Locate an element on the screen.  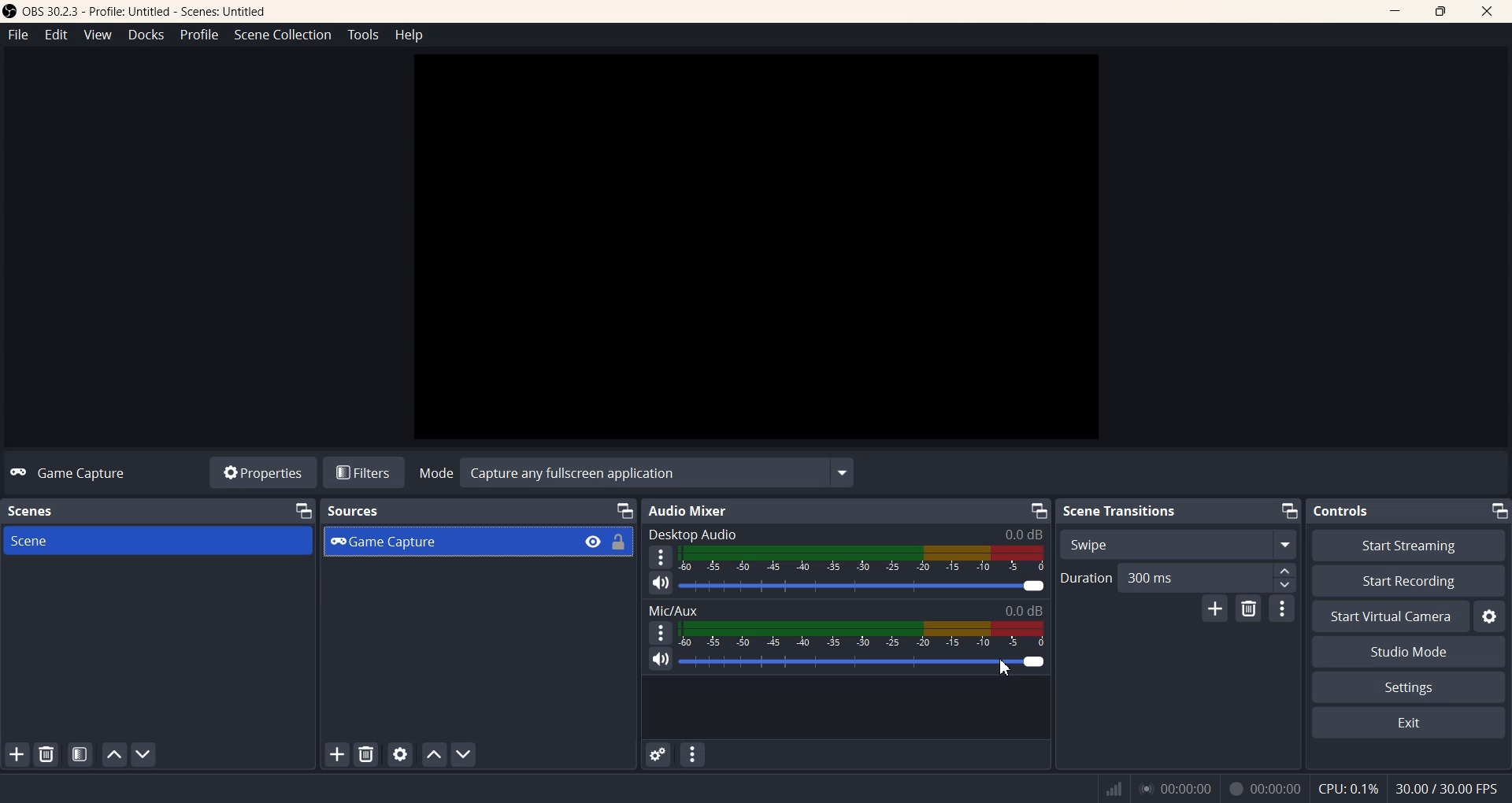
Minimize is located at coordinates (1037, 510).